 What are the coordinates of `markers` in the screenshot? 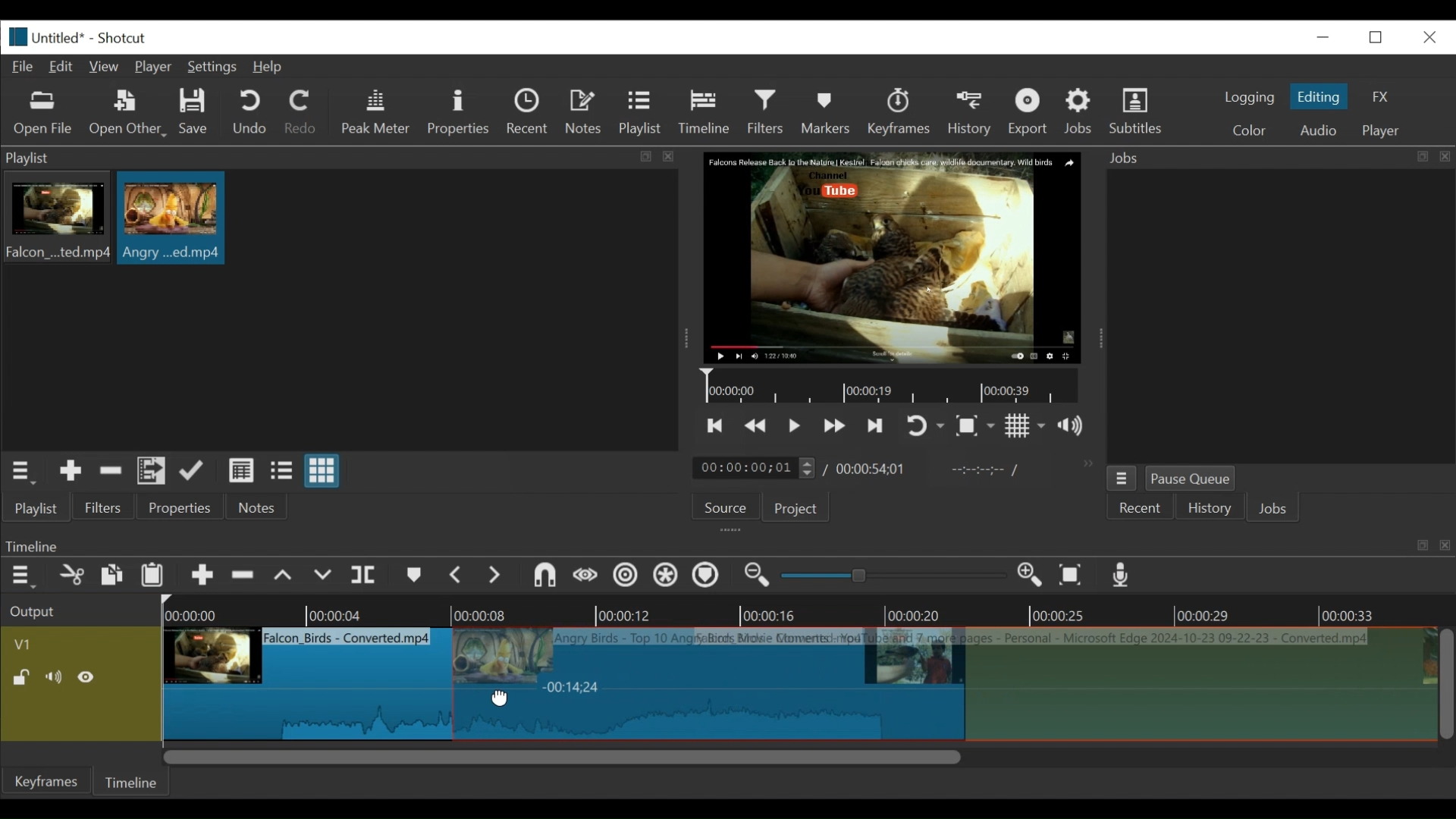 It's located at (413, 579).